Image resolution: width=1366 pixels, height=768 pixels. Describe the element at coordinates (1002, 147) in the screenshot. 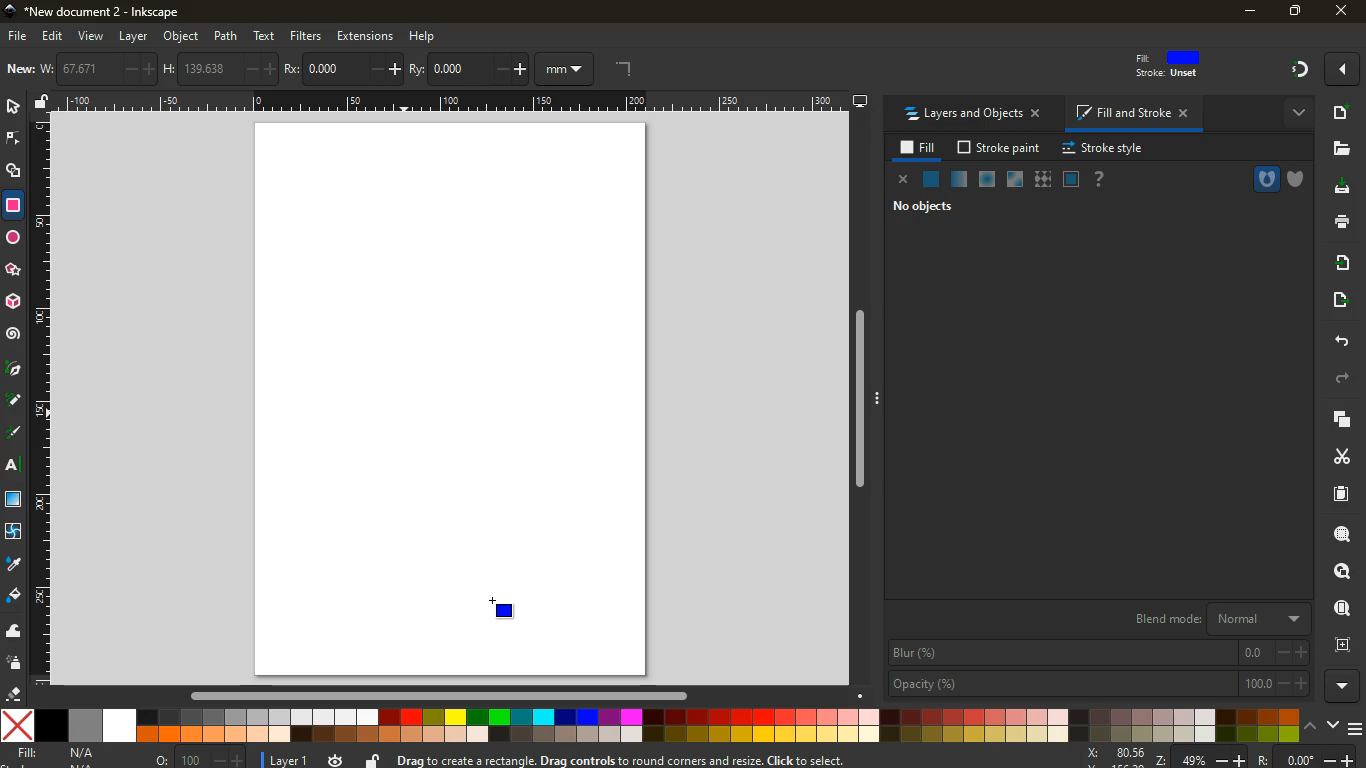

I see `stroke paint` at that location.